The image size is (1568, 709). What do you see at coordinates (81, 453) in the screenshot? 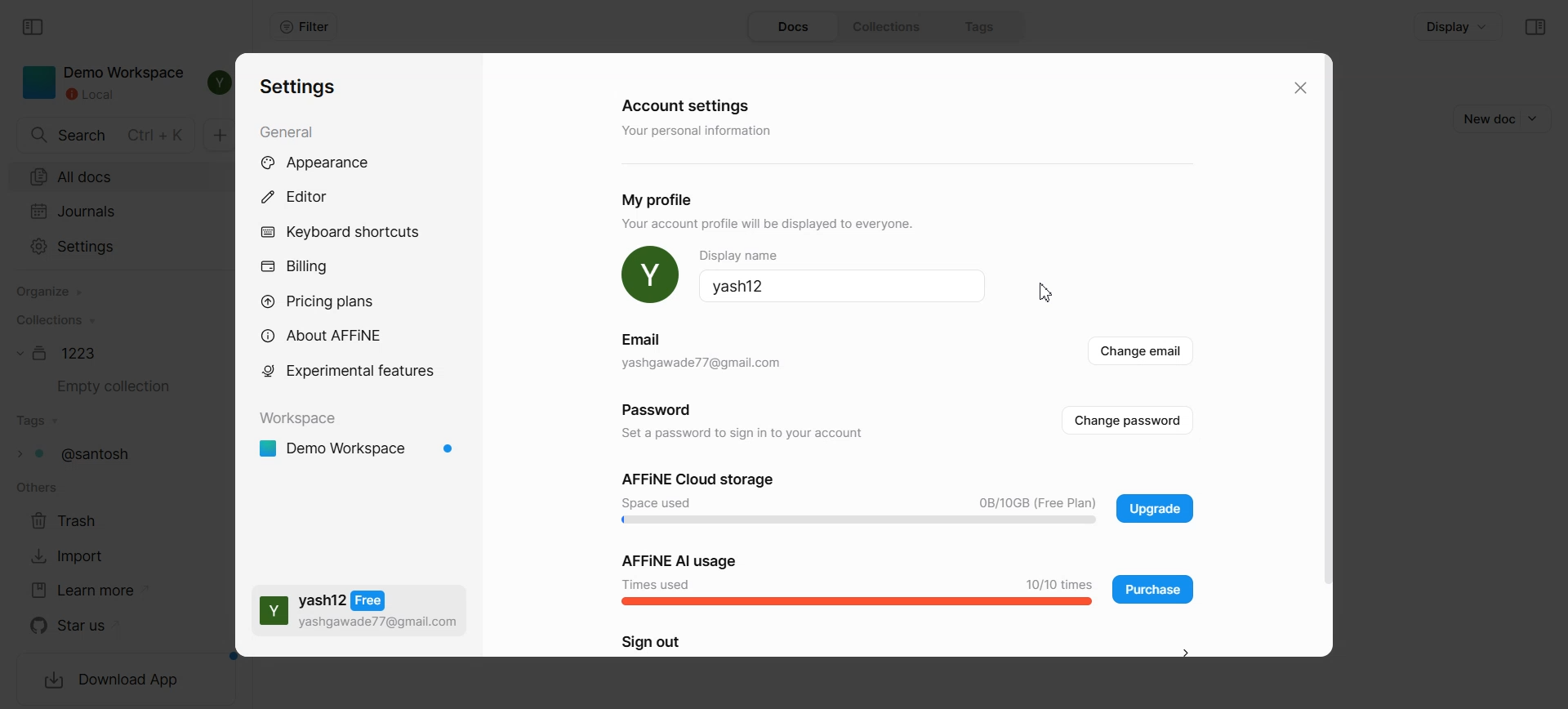
I see `Tags` at bounding box center [81, 453].